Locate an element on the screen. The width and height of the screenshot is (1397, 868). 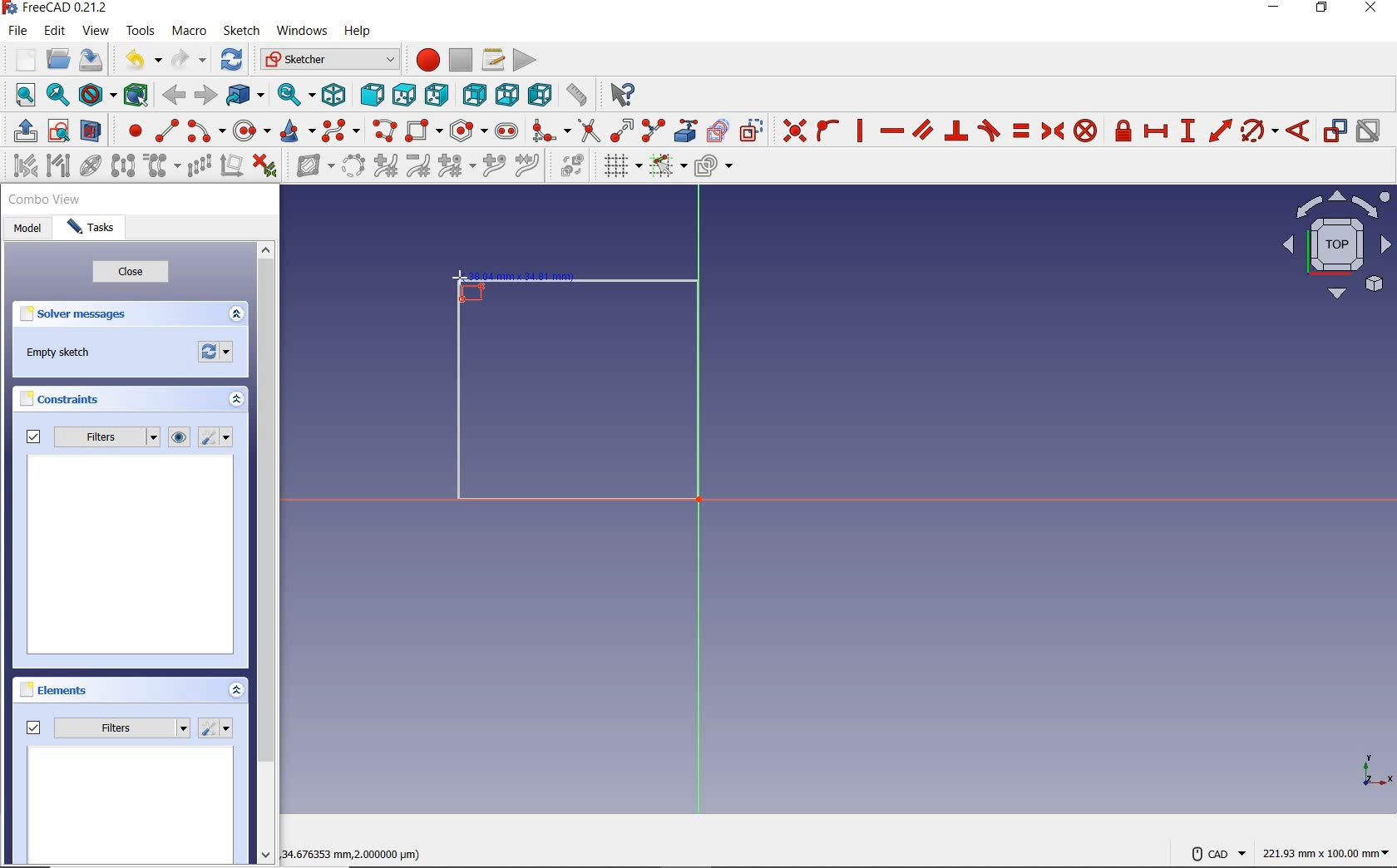
macro recording is located at coordinates (426, 60).